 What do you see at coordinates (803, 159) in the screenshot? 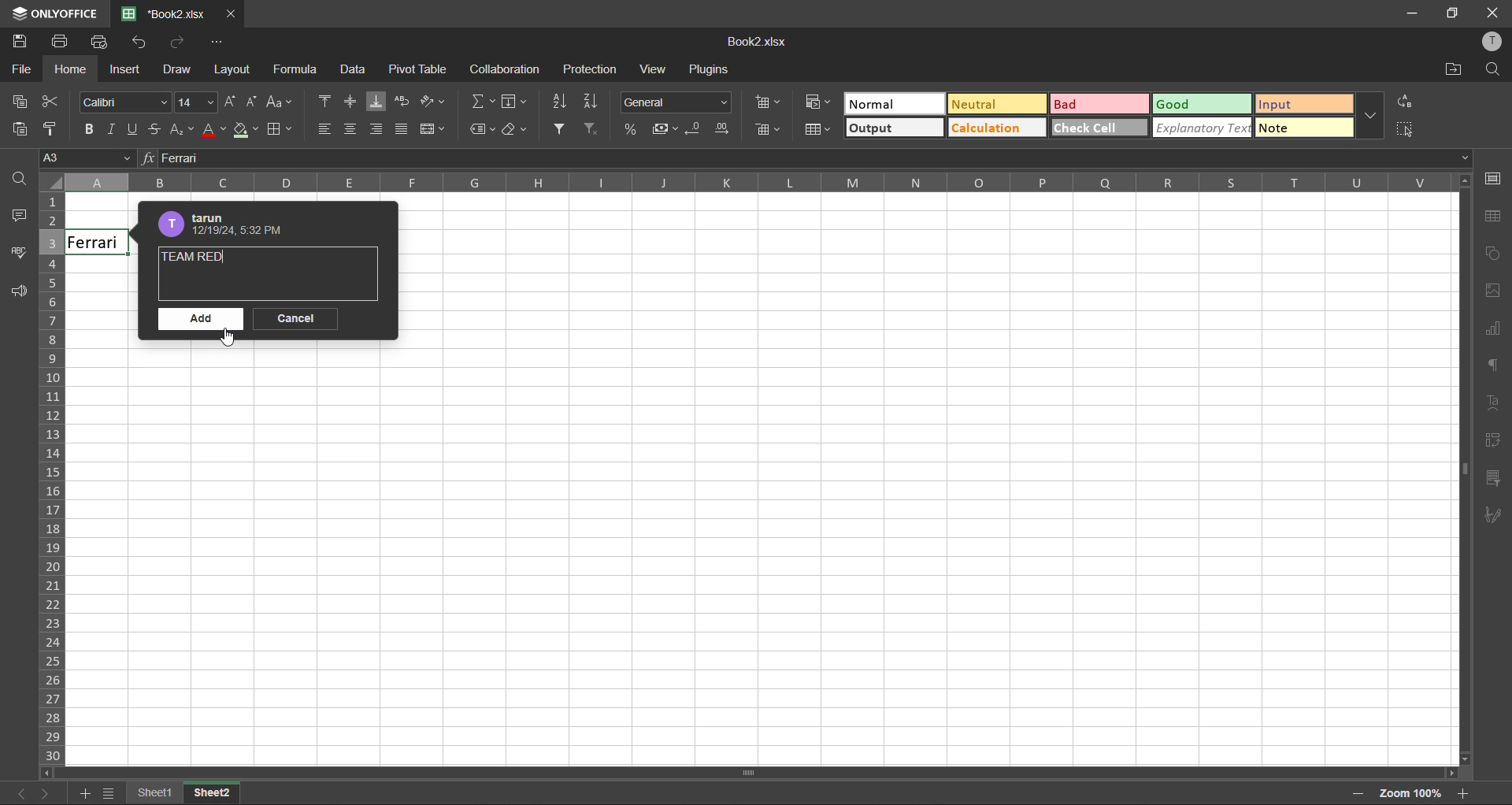
I see `formula bar` at bounding box center [803, 159].